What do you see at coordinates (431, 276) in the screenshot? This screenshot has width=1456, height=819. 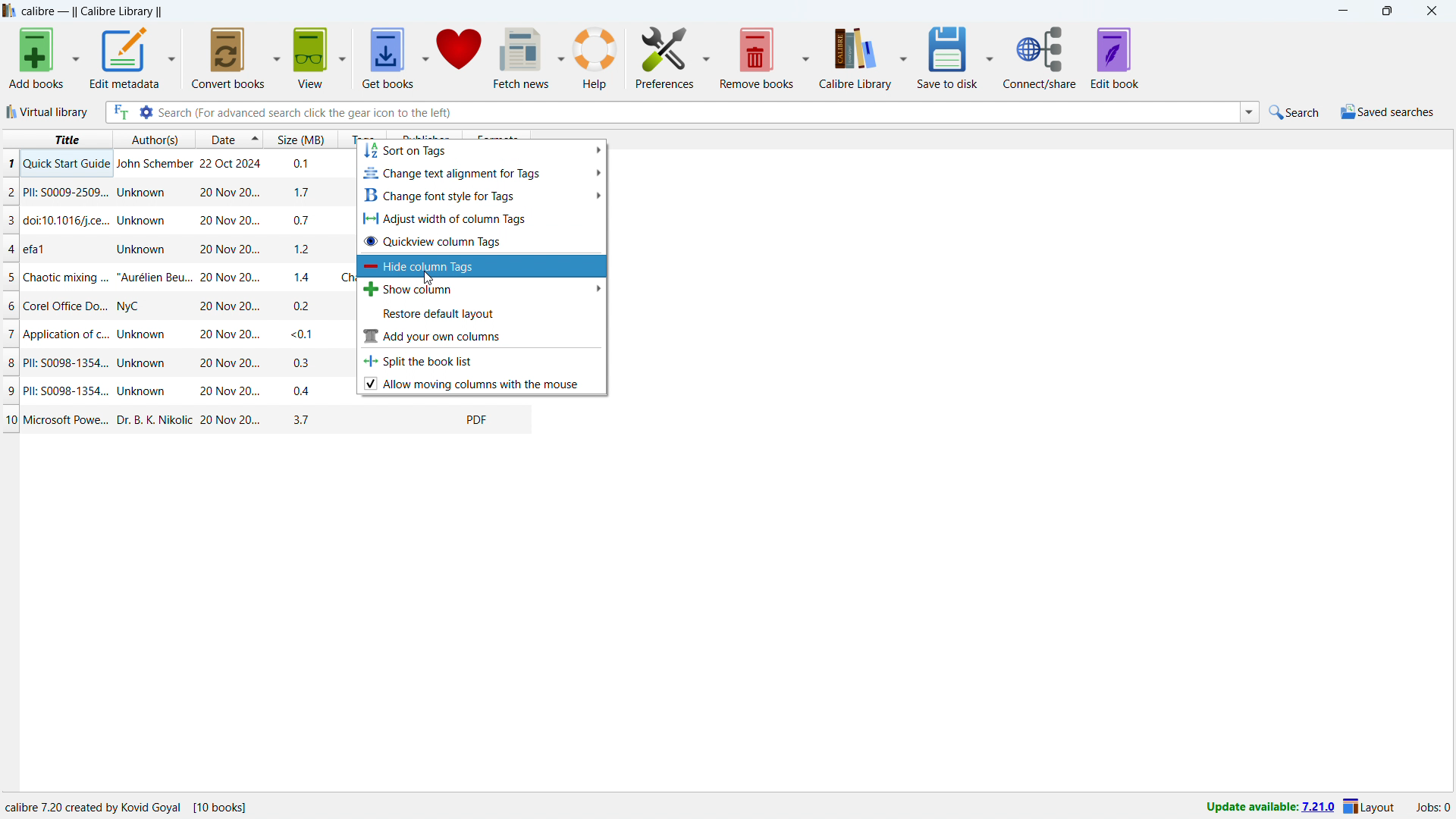 I see `Cursor` at bounding box center [431, 276].